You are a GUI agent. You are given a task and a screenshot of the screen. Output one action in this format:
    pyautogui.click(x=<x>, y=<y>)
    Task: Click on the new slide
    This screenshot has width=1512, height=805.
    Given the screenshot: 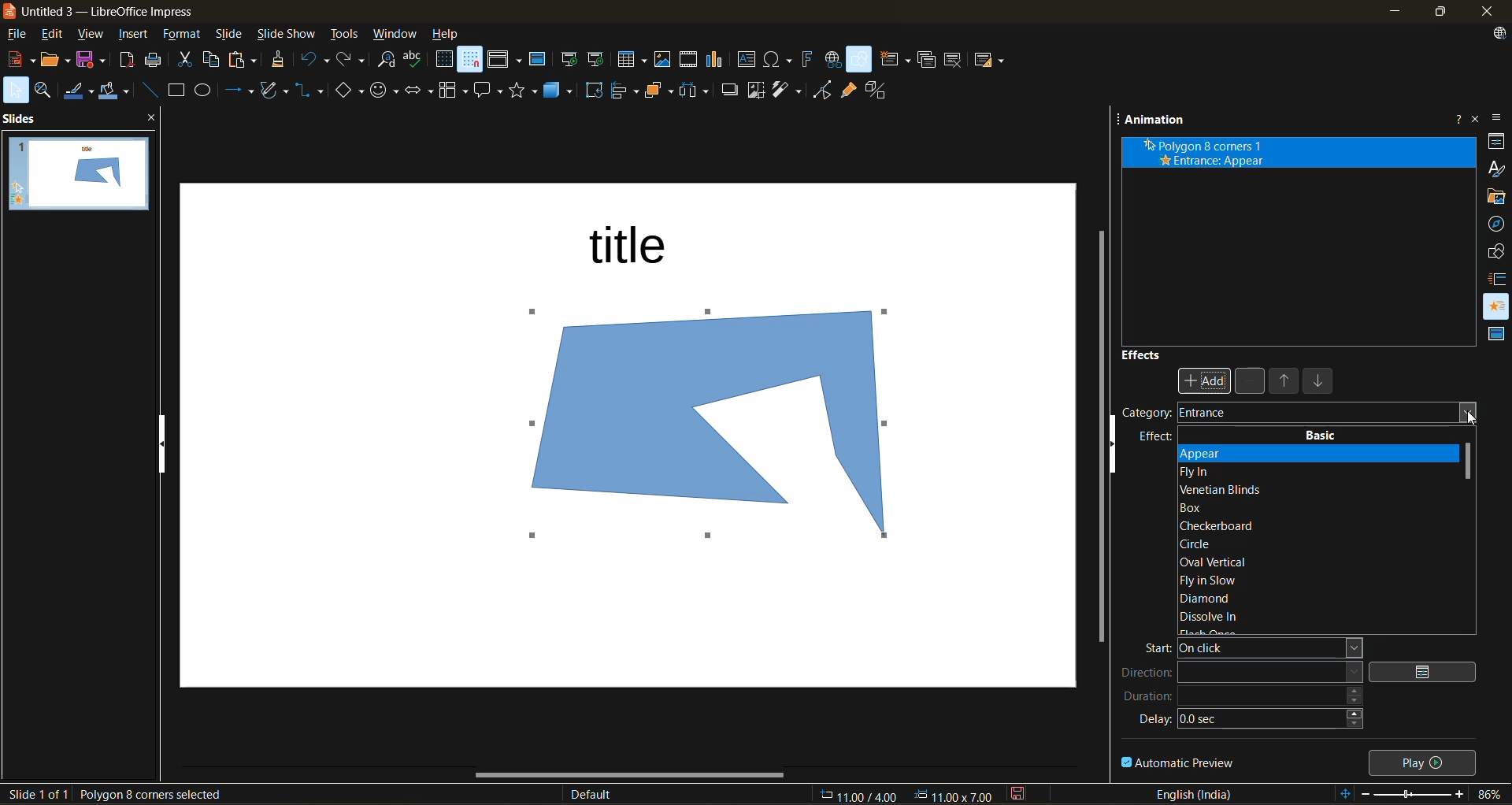 What is the action you would take?
    pyautogui.click(x=893, y=59)
    